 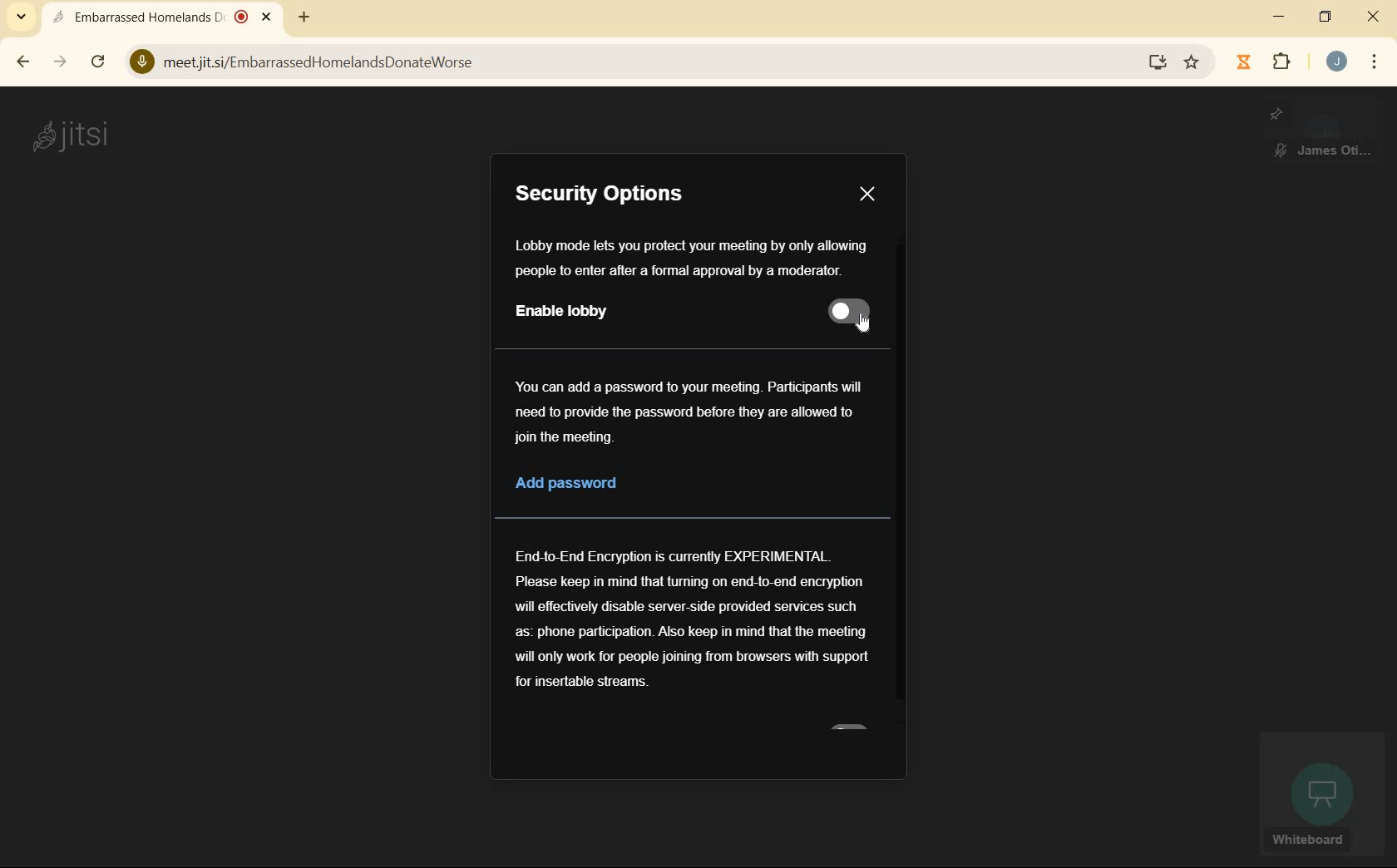 I want to click on cursor, so click(x=865, y=324).